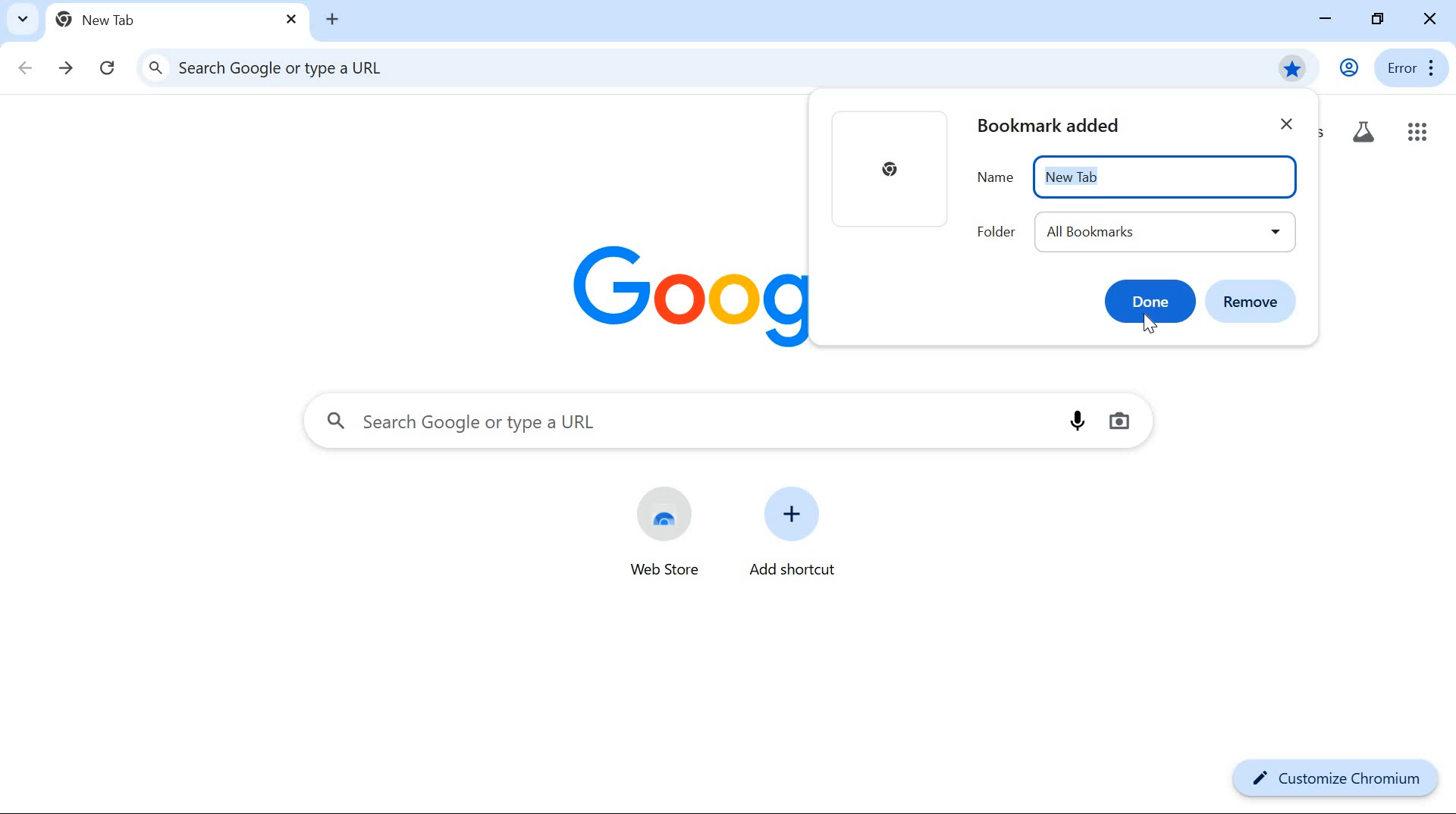 The height and width of the screenshot is (814, 1456). Describe the element at coordinates (1119, 421) in the screenshot. I see `image search` at that location.